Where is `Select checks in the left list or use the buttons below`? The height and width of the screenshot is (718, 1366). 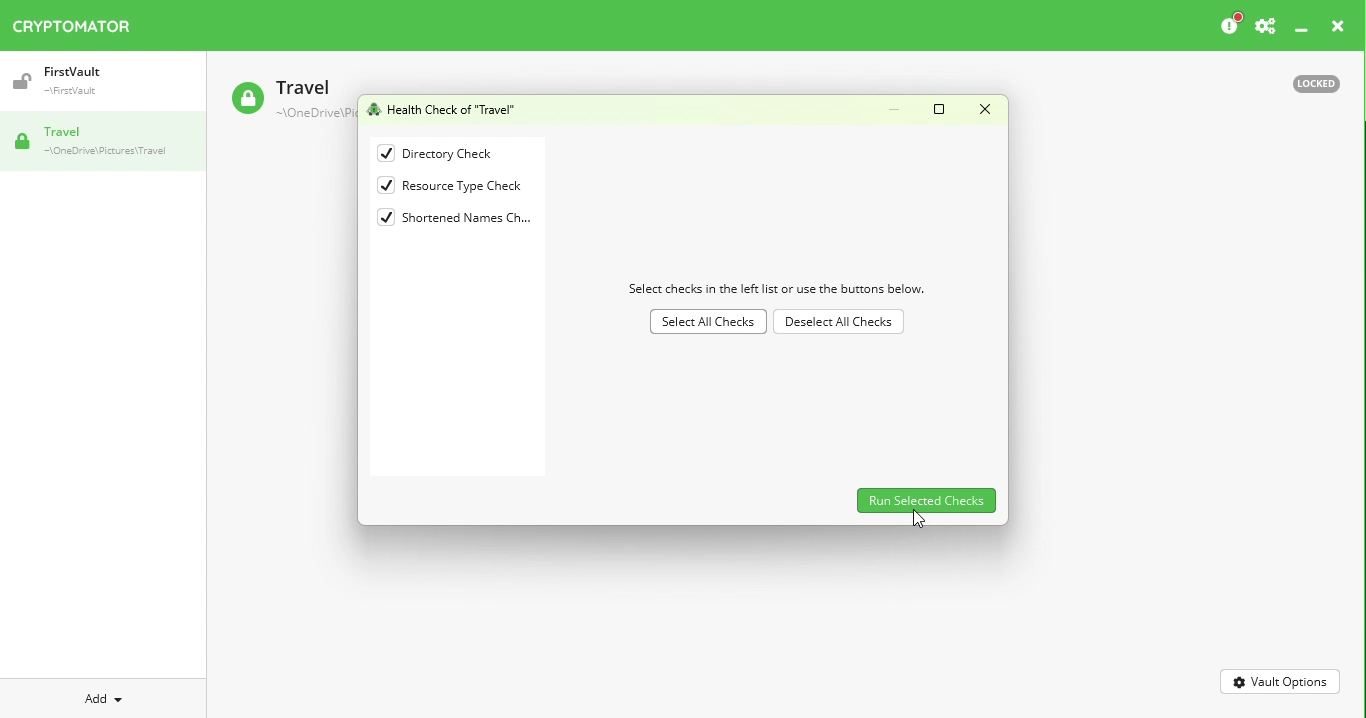 Select checks in the left list or use the buttons below is located at coordinates (778, 291).